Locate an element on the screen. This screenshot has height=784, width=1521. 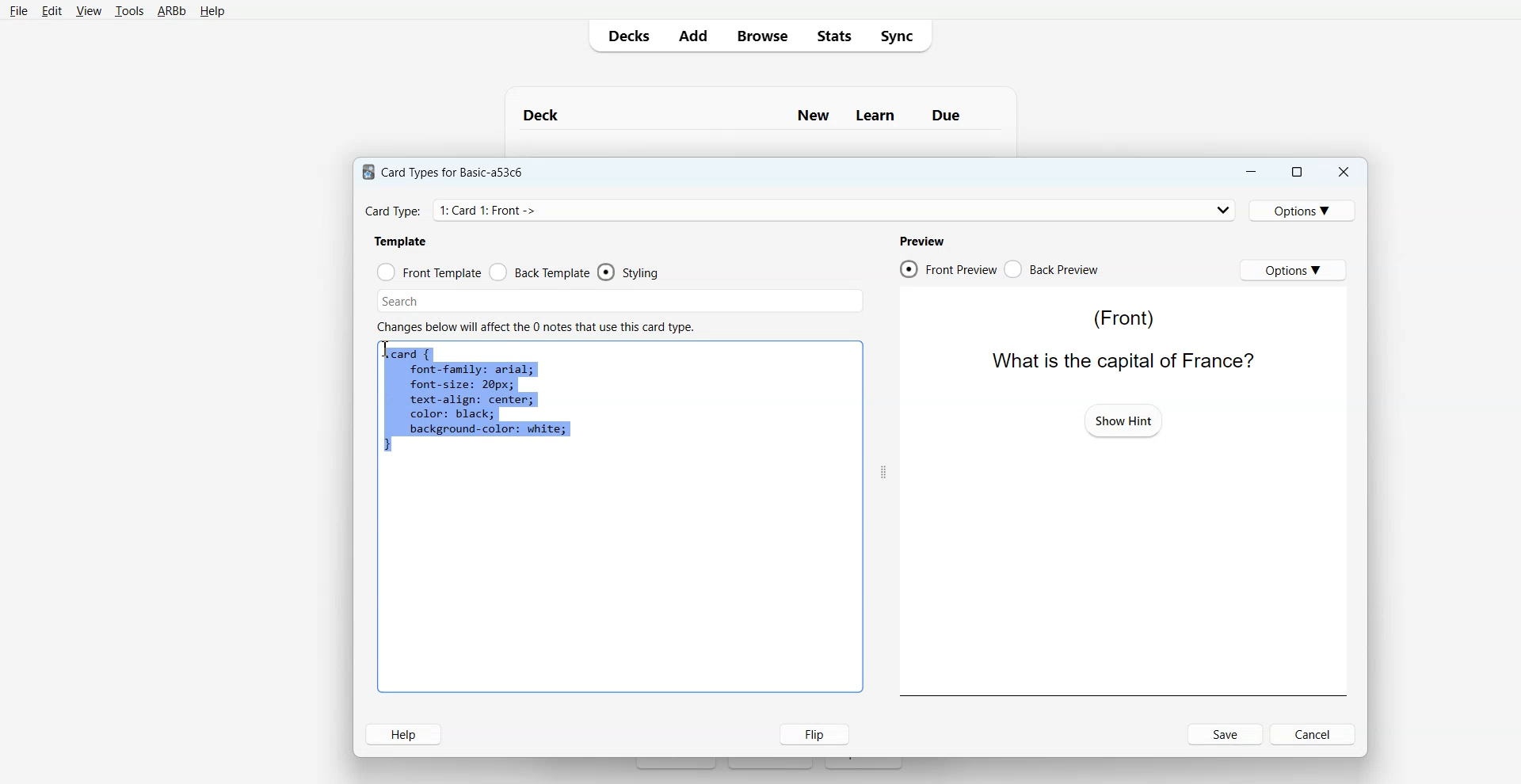
Help is located at coordinates (403, 734).